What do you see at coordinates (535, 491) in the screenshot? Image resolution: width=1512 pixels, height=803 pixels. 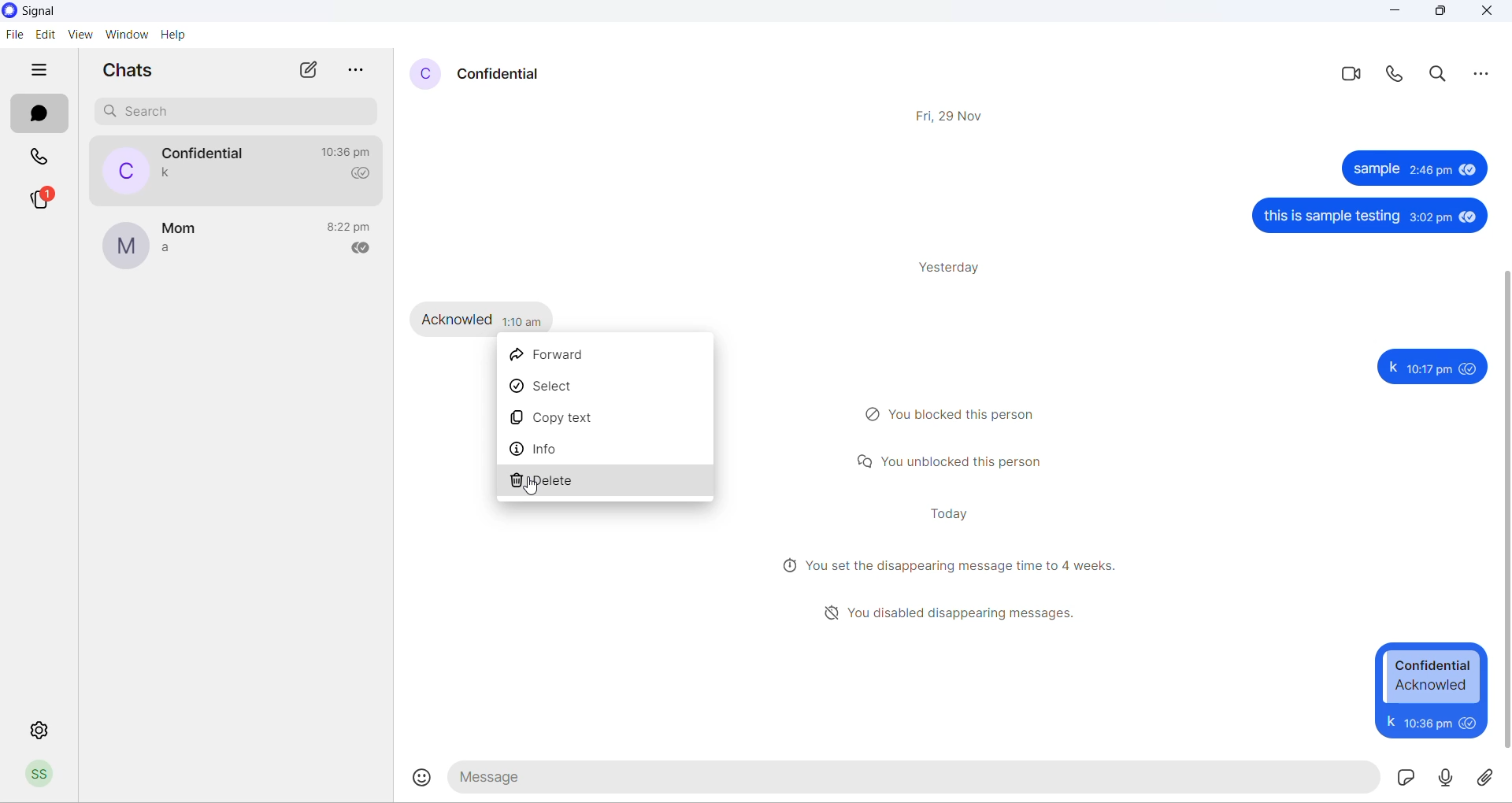 I see `cursor` at bounding box center [535, 491].